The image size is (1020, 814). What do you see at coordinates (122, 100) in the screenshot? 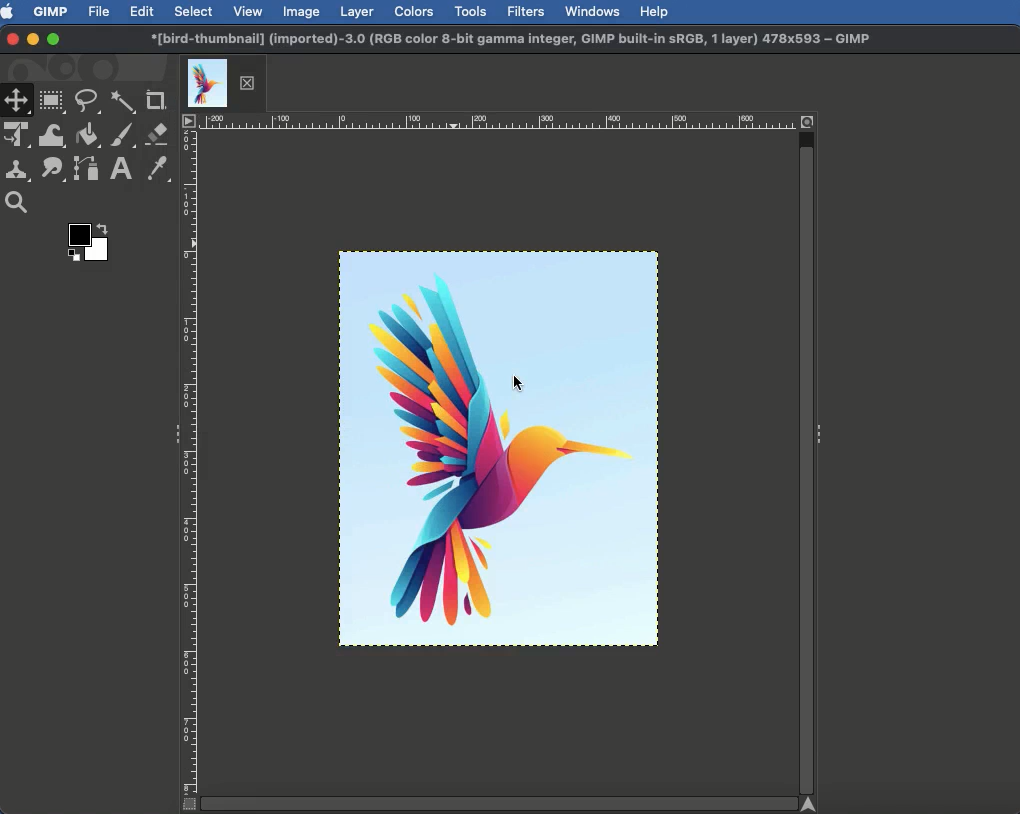
I see `Fuzzy selector` at bounding box center [122, 100].